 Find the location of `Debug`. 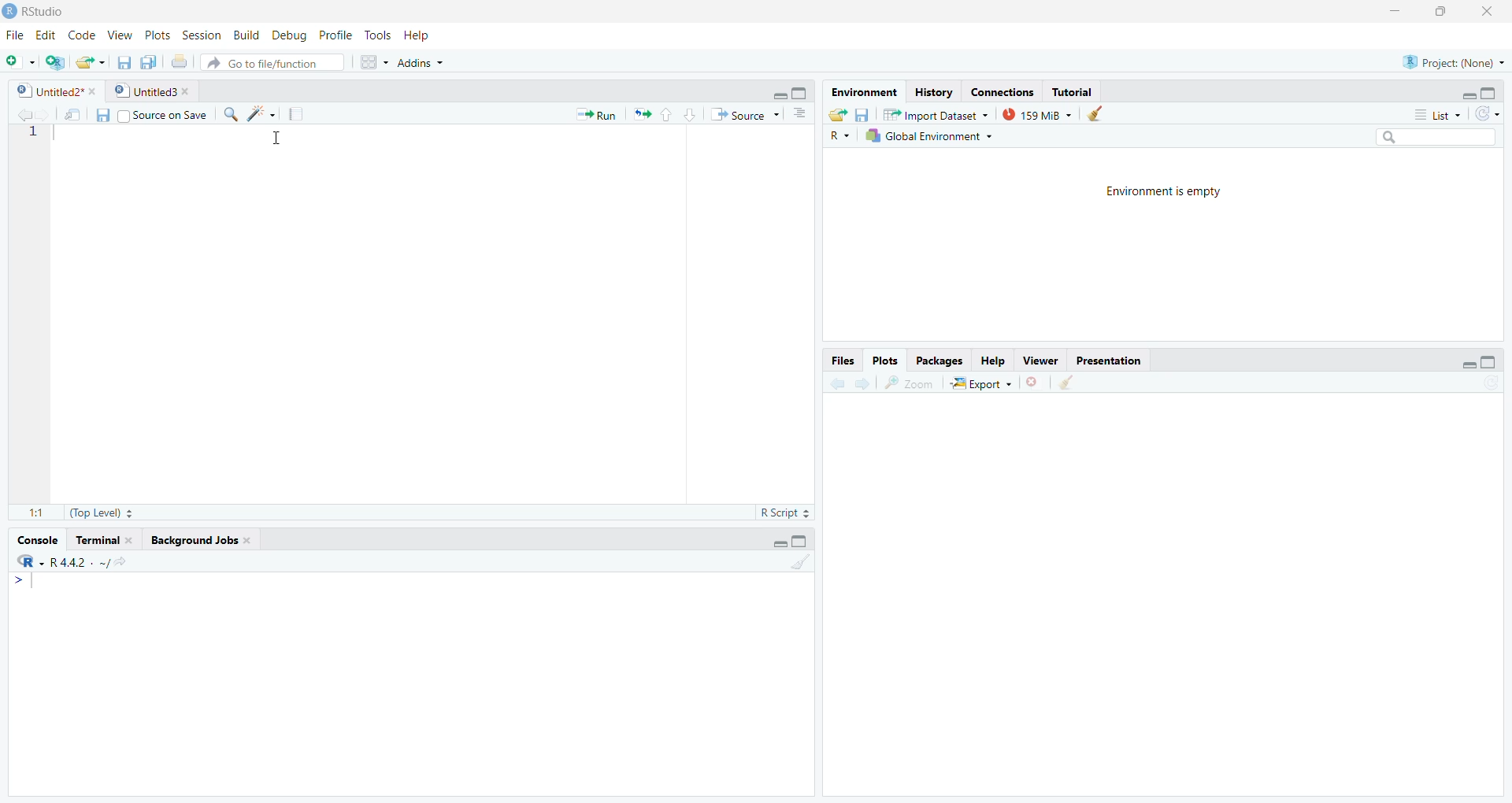

Debug is located at coordinates (287, 33).